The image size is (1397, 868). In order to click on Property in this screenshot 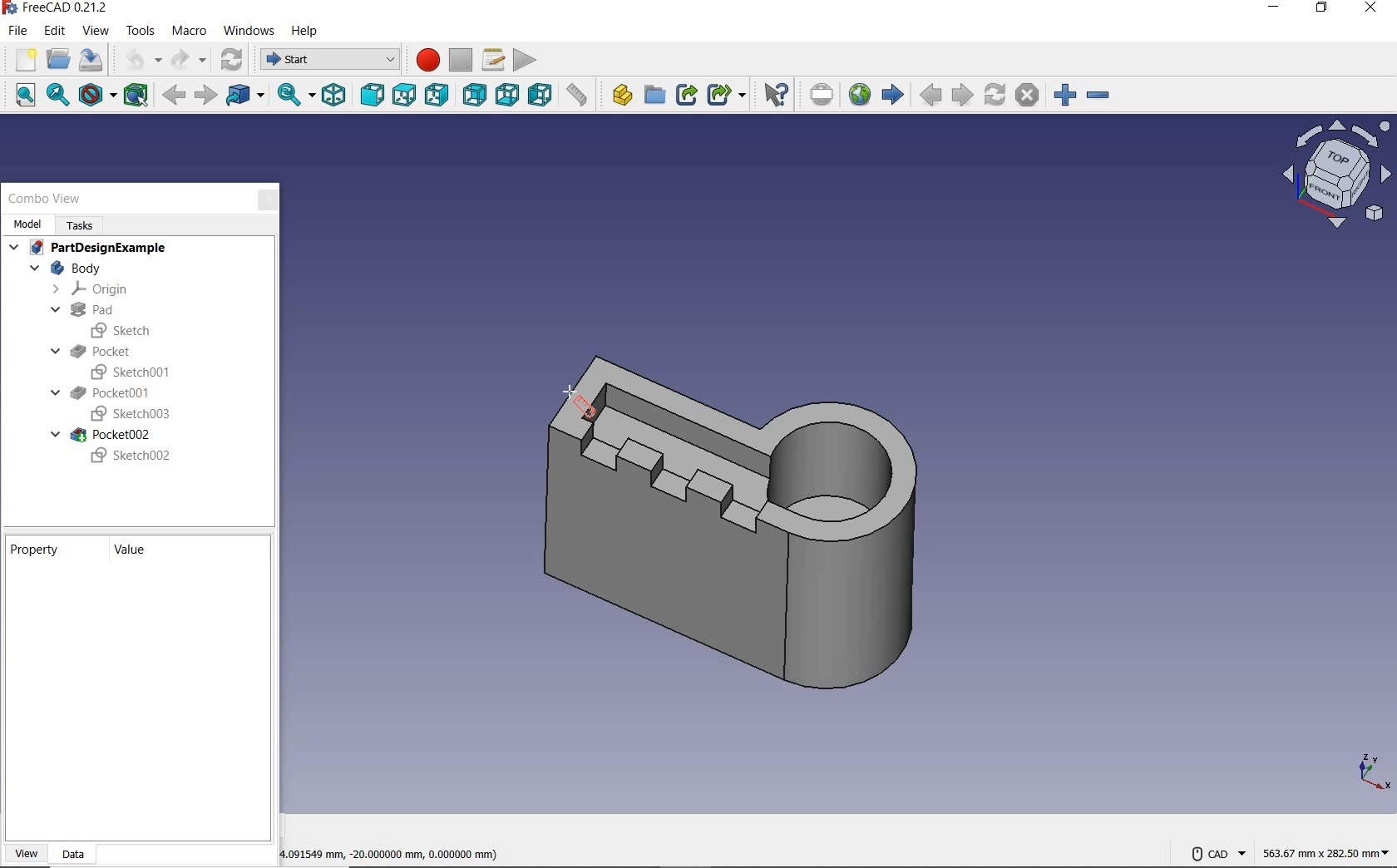, I will do `click(40, 549)`.